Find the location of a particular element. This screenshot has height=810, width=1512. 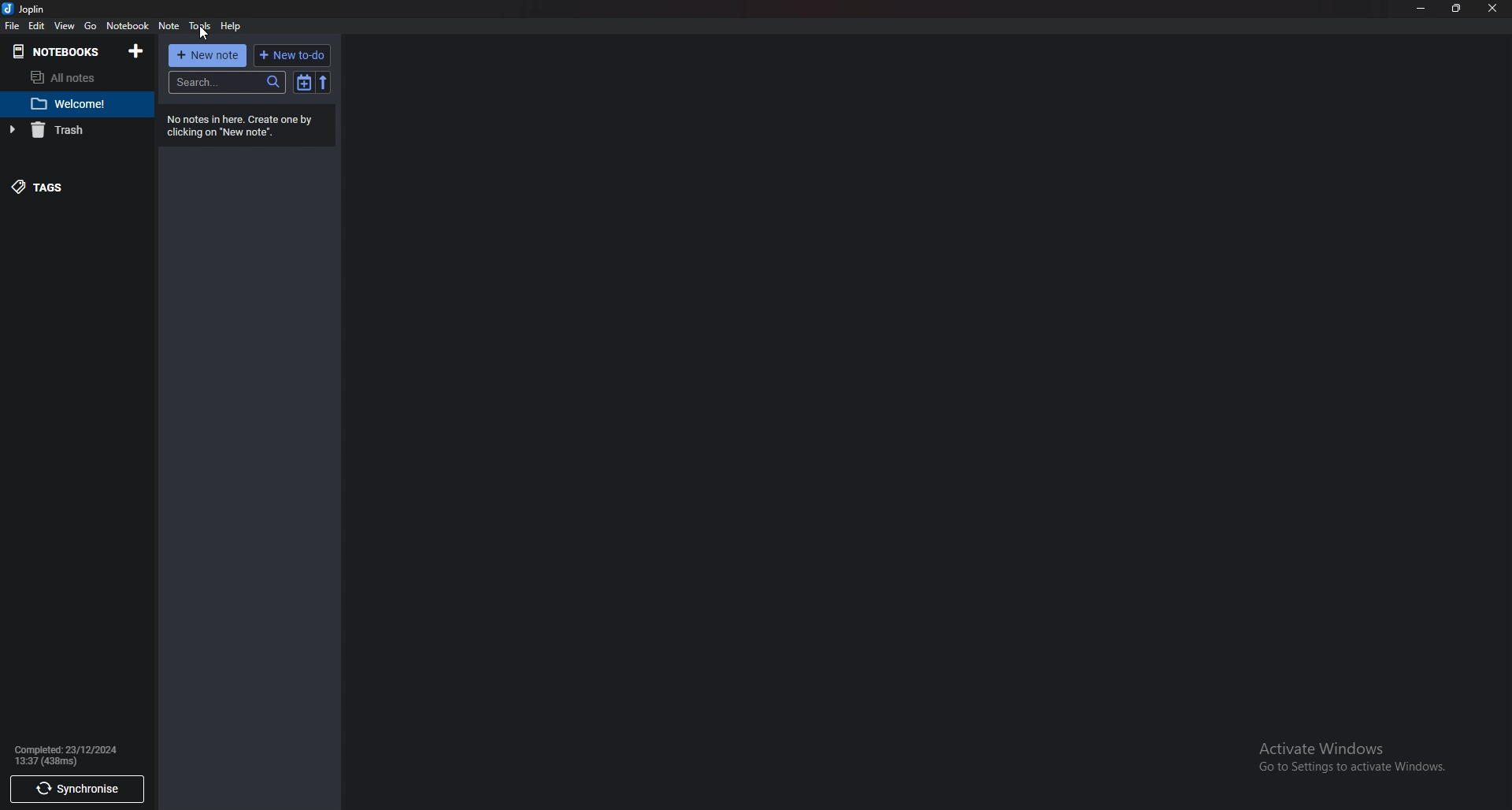

Edit is located at coordinates (37, 26).